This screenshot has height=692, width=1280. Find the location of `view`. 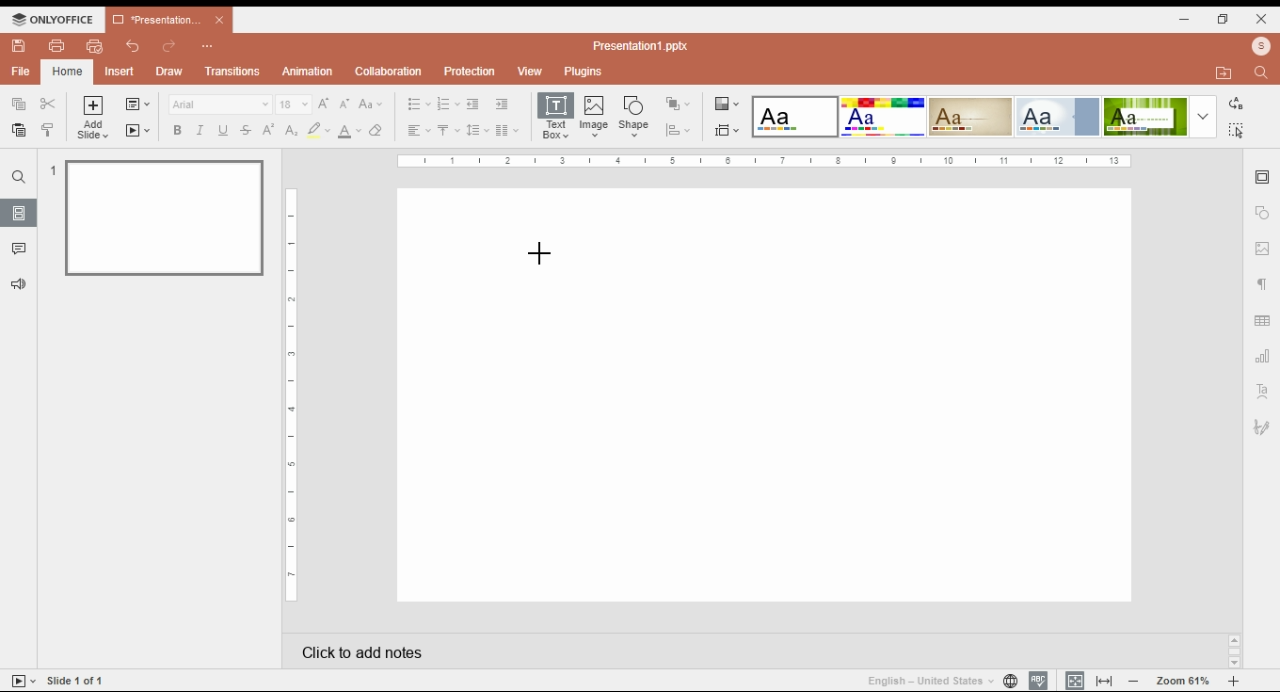

view is located at coordinates (530, 71).